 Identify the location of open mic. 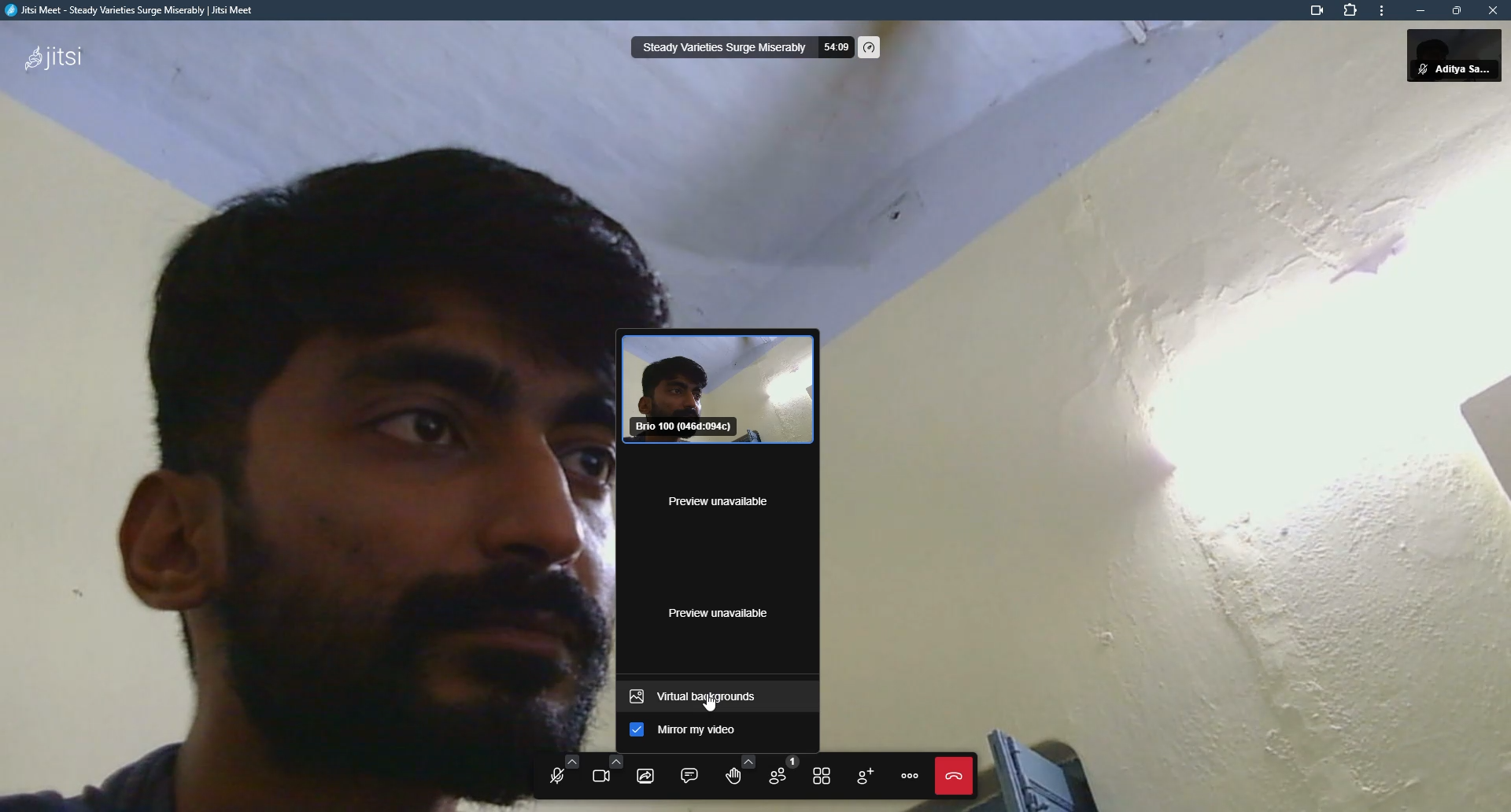
(557, 775).